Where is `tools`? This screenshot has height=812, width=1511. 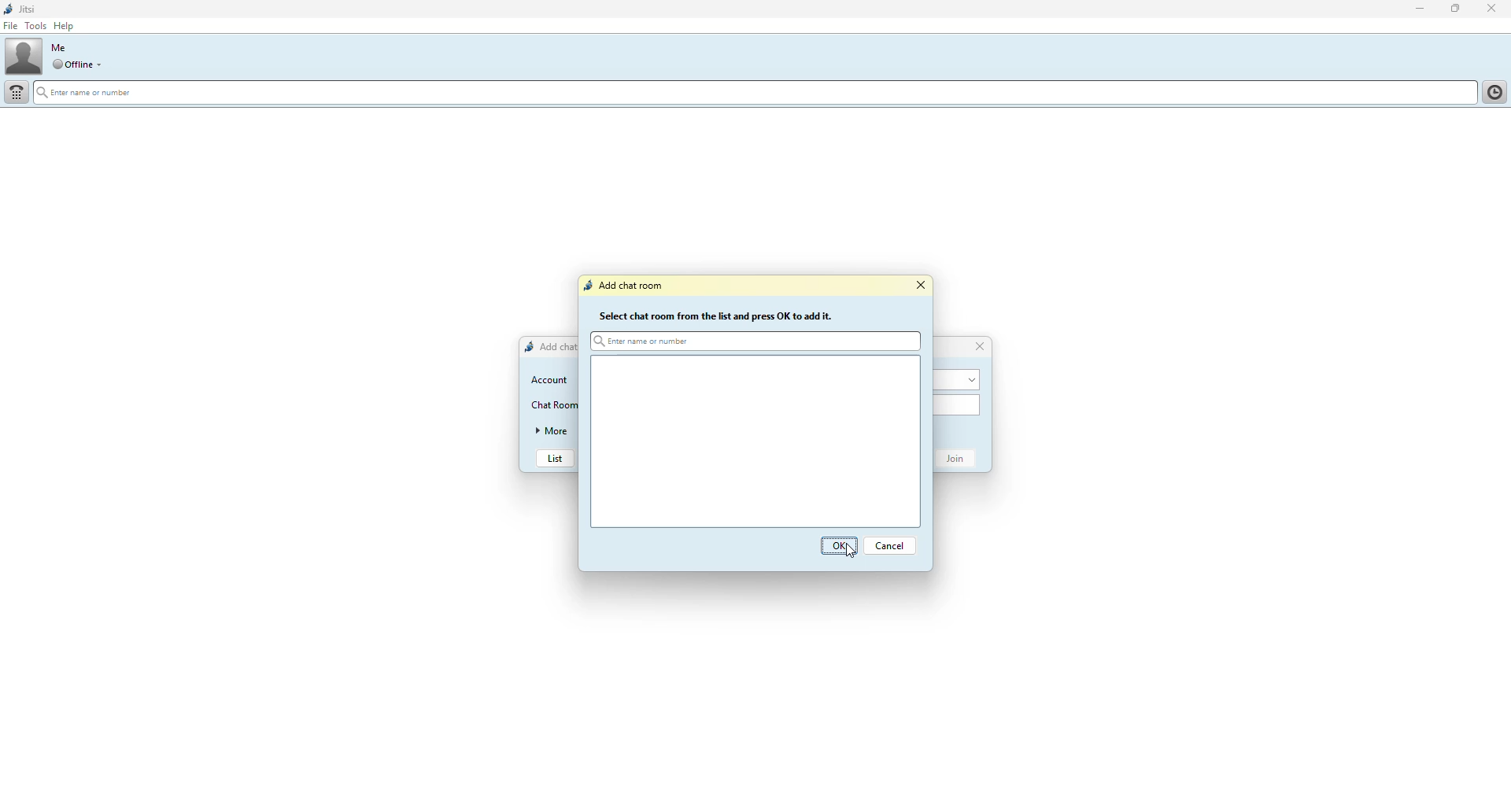
tools is located at coordinates (36, 25).